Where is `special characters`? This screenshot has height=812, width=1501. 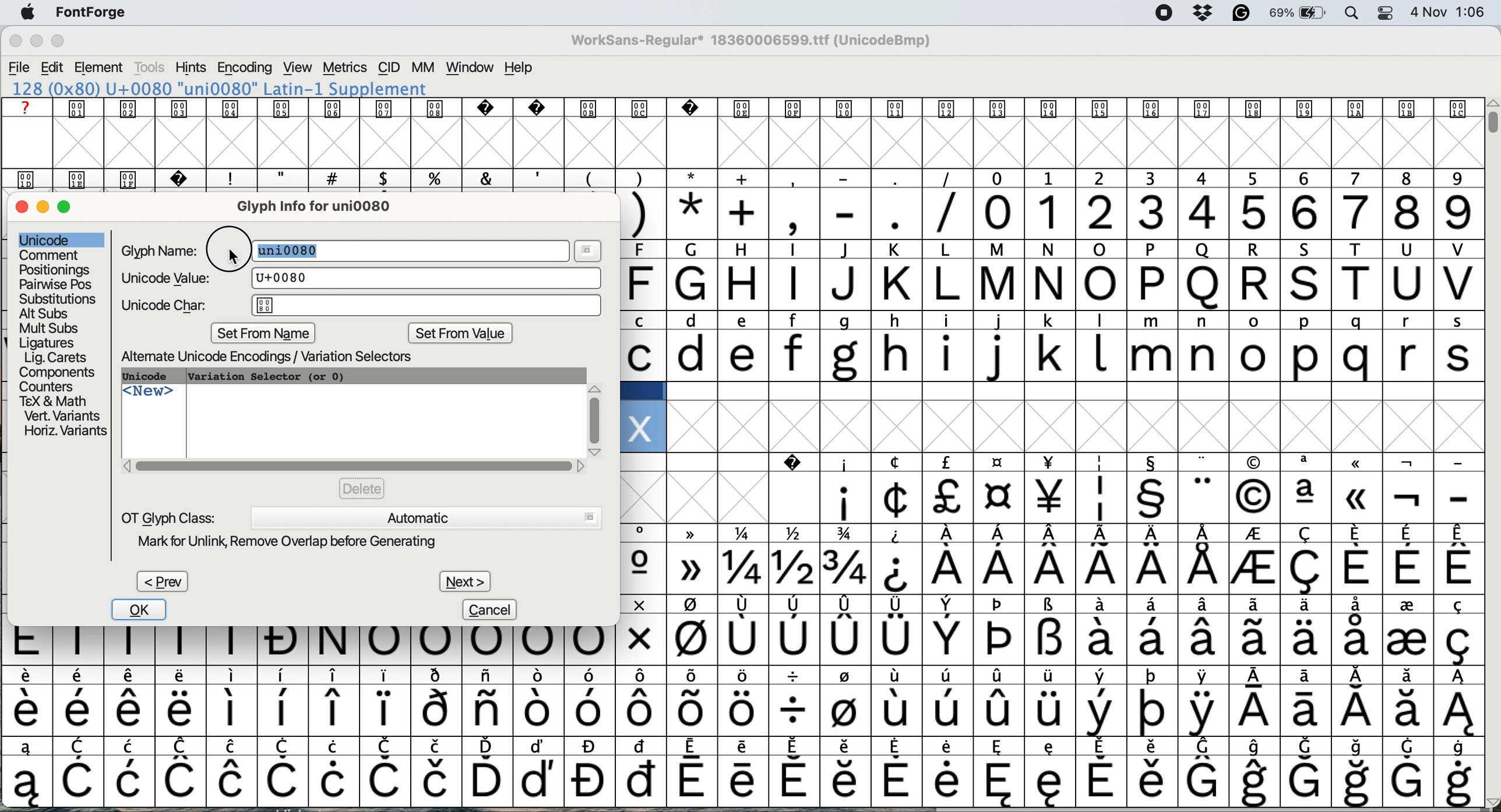 special characters is located at coordinates (1055, 569).